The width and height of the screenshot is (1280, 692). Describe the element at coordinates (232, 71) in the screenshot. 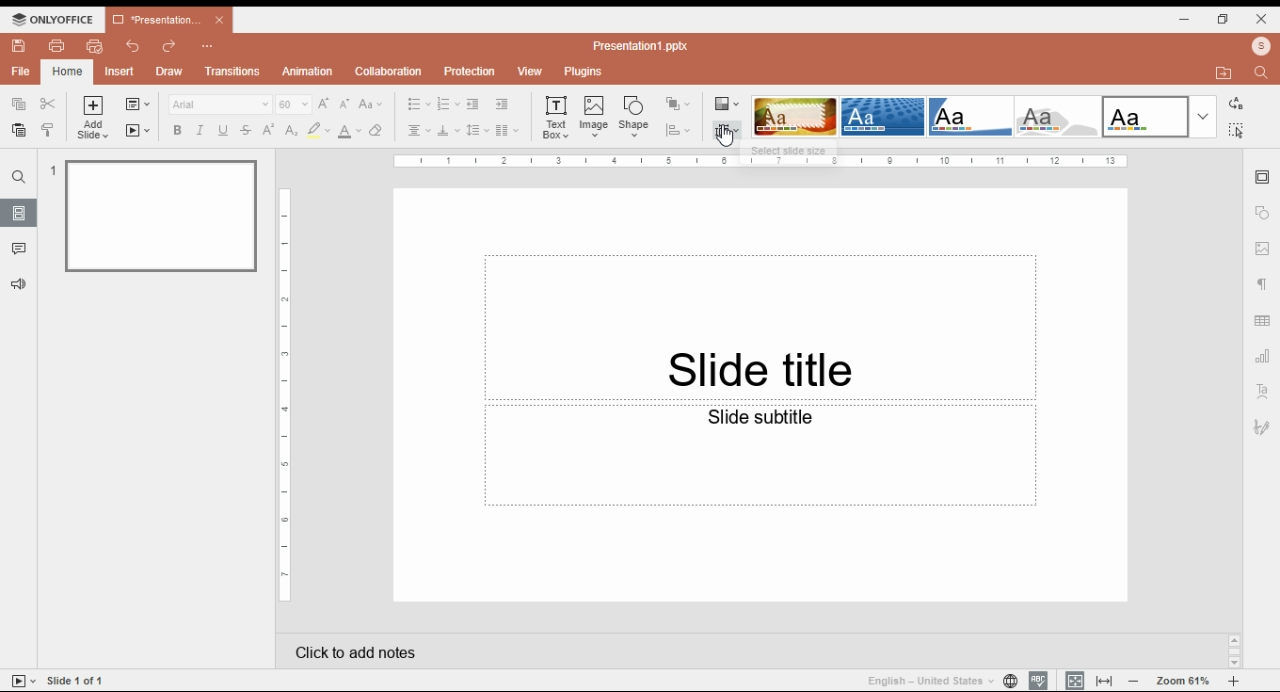

I see `transitions` at that location.